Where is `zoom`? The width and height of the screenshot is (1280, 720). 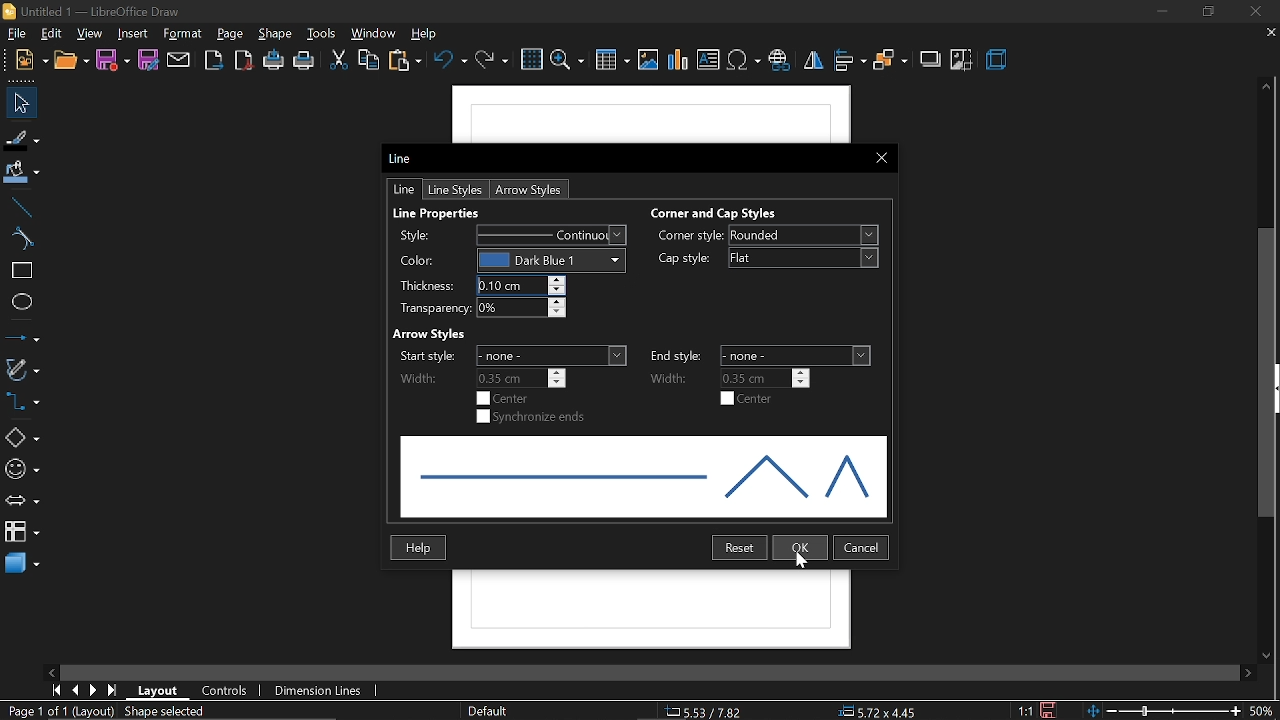 zoom is located at coordinates (566, 61).